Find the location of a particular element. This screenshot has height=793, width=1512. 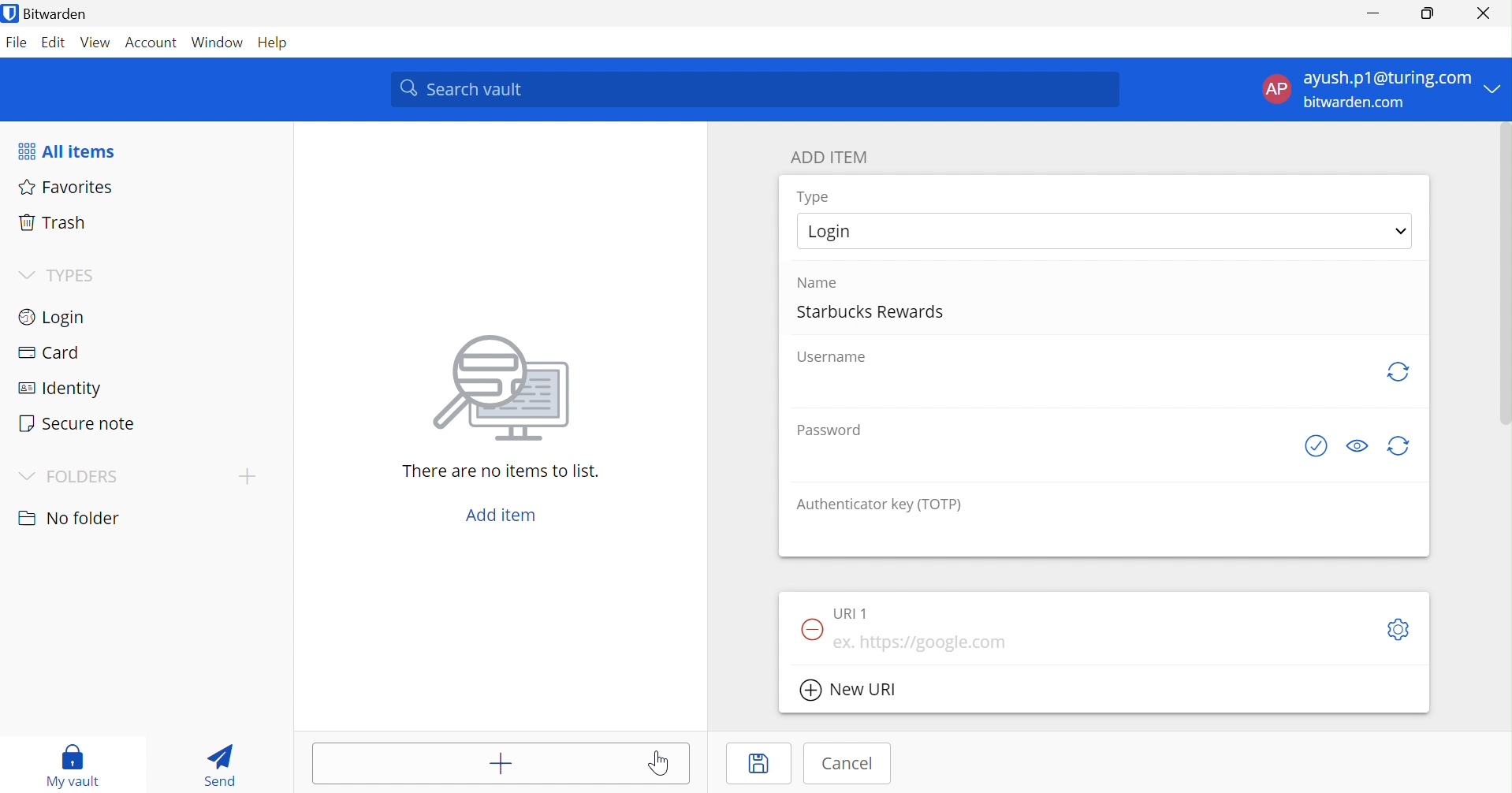

Add item is located at coordinates (473, 763).